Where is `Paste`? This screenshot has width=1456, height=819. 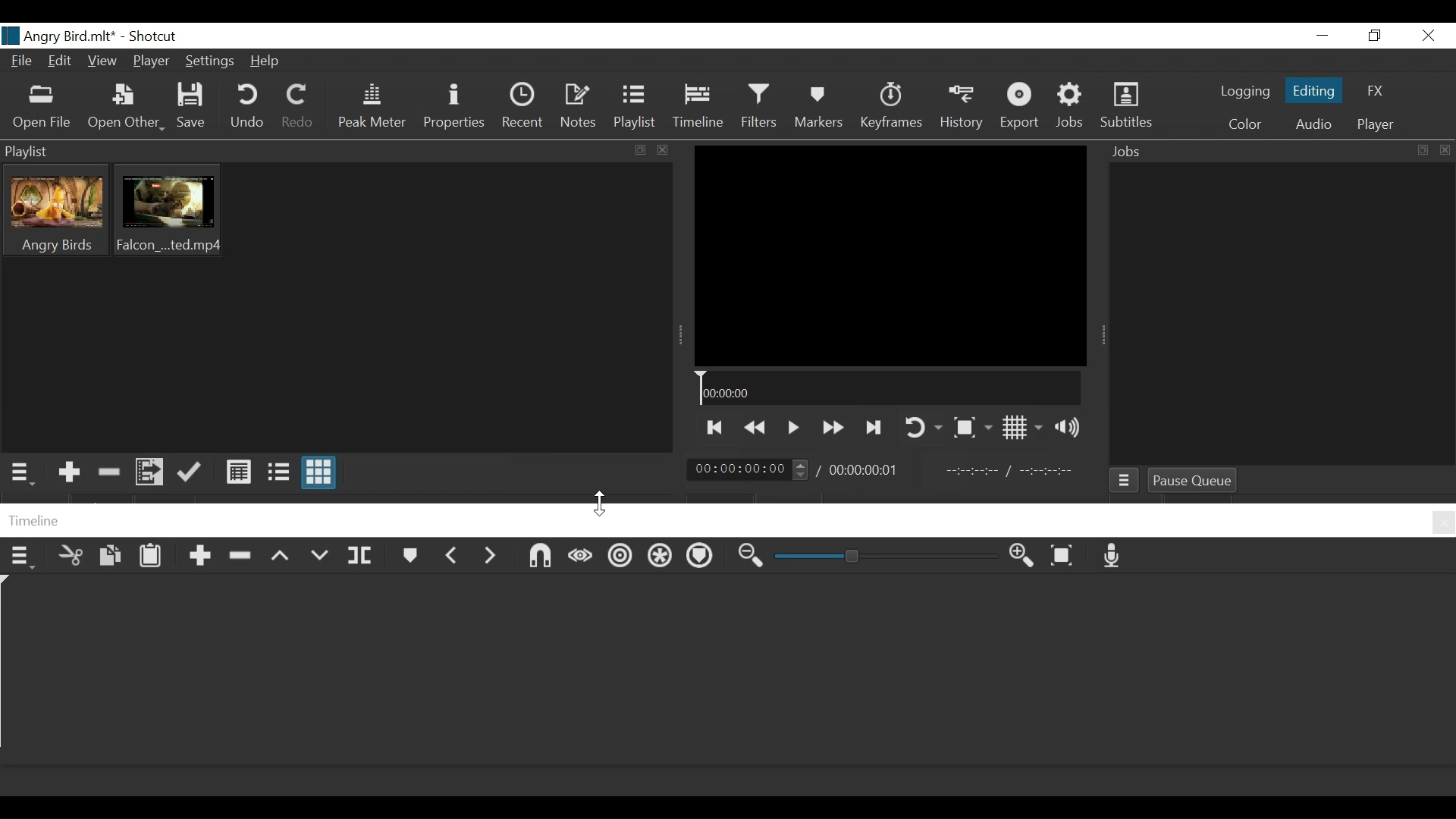 Paste is located at coordinates (152, 557).